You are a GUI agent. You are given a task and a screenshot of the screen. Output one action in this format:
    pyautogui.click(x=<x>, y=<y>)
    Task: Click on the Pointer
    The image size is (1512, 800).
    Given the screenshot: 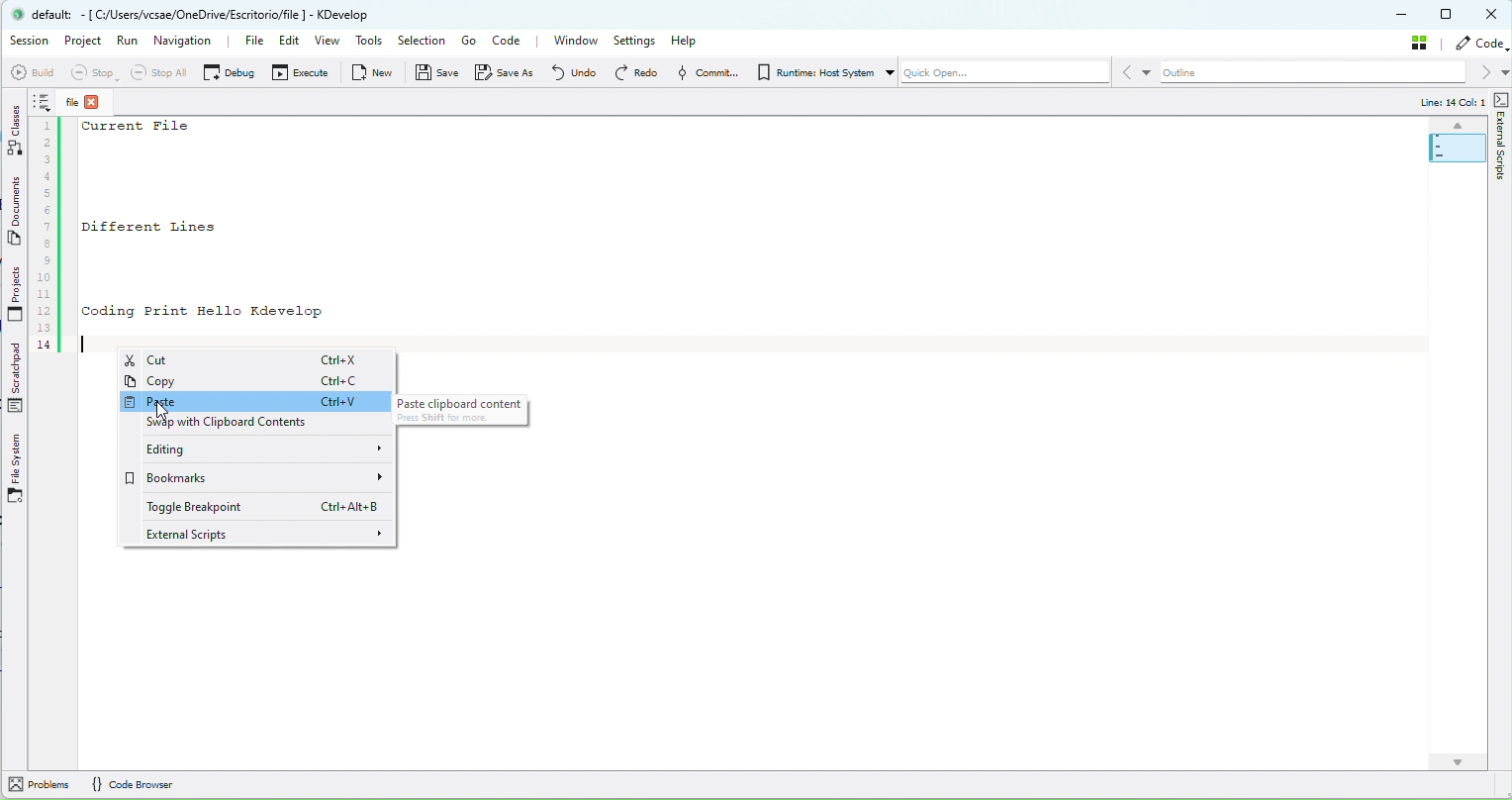 What is the action you would take?
    pyautogui.click(x=164, y=411)
    